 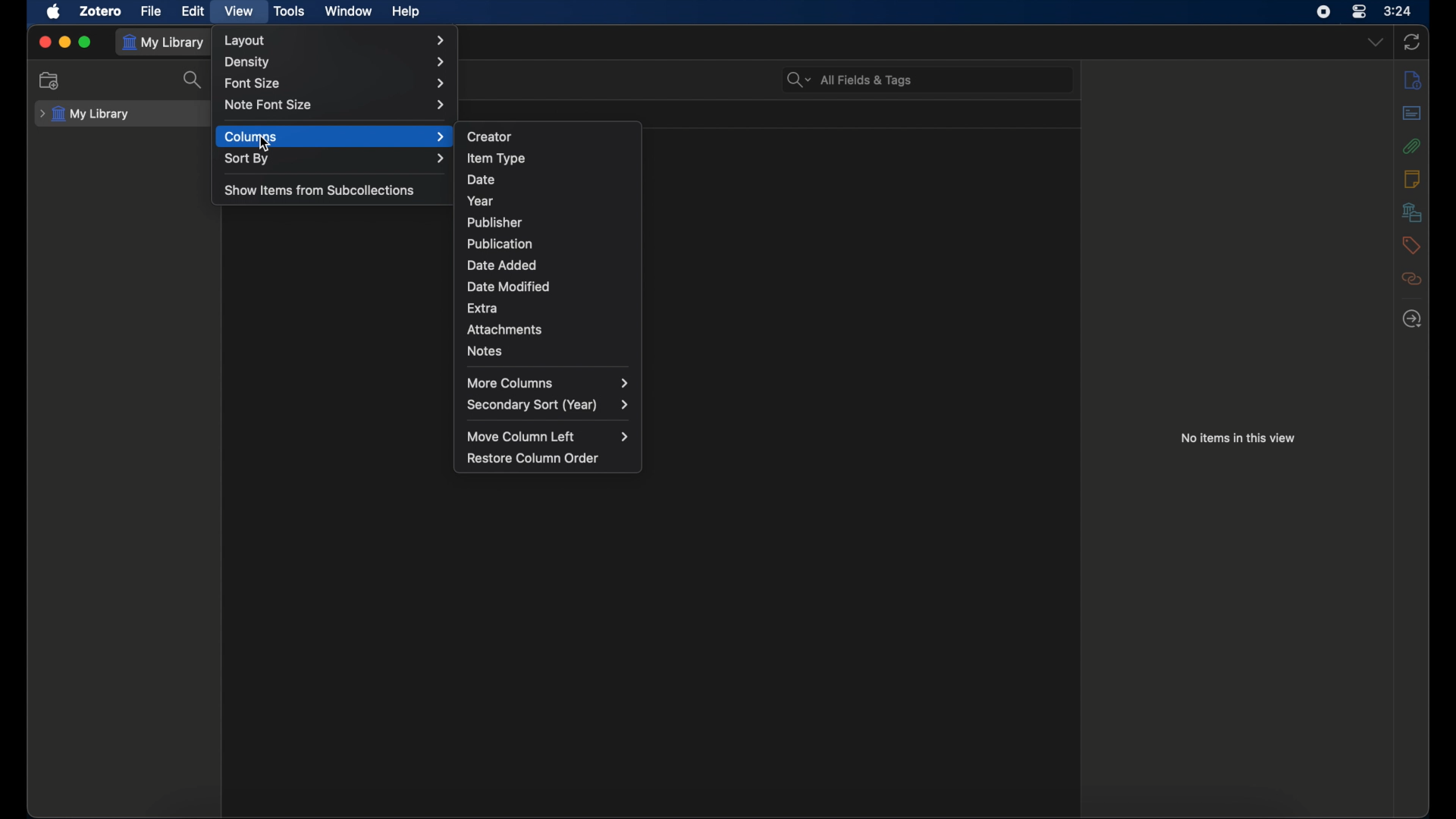 I want to click on move column left, so click(x=551, y=437).